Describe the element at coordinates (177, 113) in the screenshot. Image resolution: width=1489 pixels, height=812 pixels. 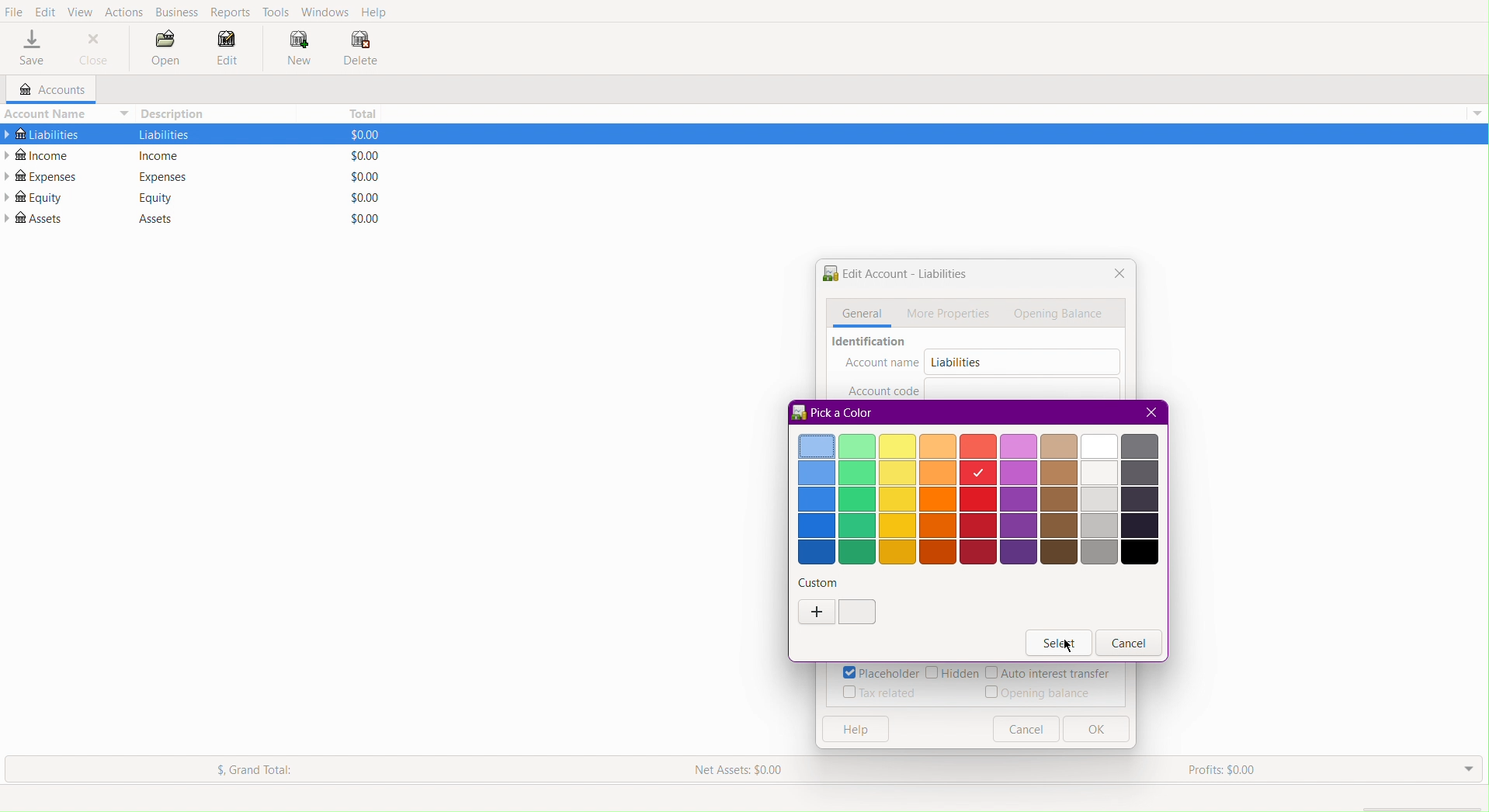
I see `Description` at that location.